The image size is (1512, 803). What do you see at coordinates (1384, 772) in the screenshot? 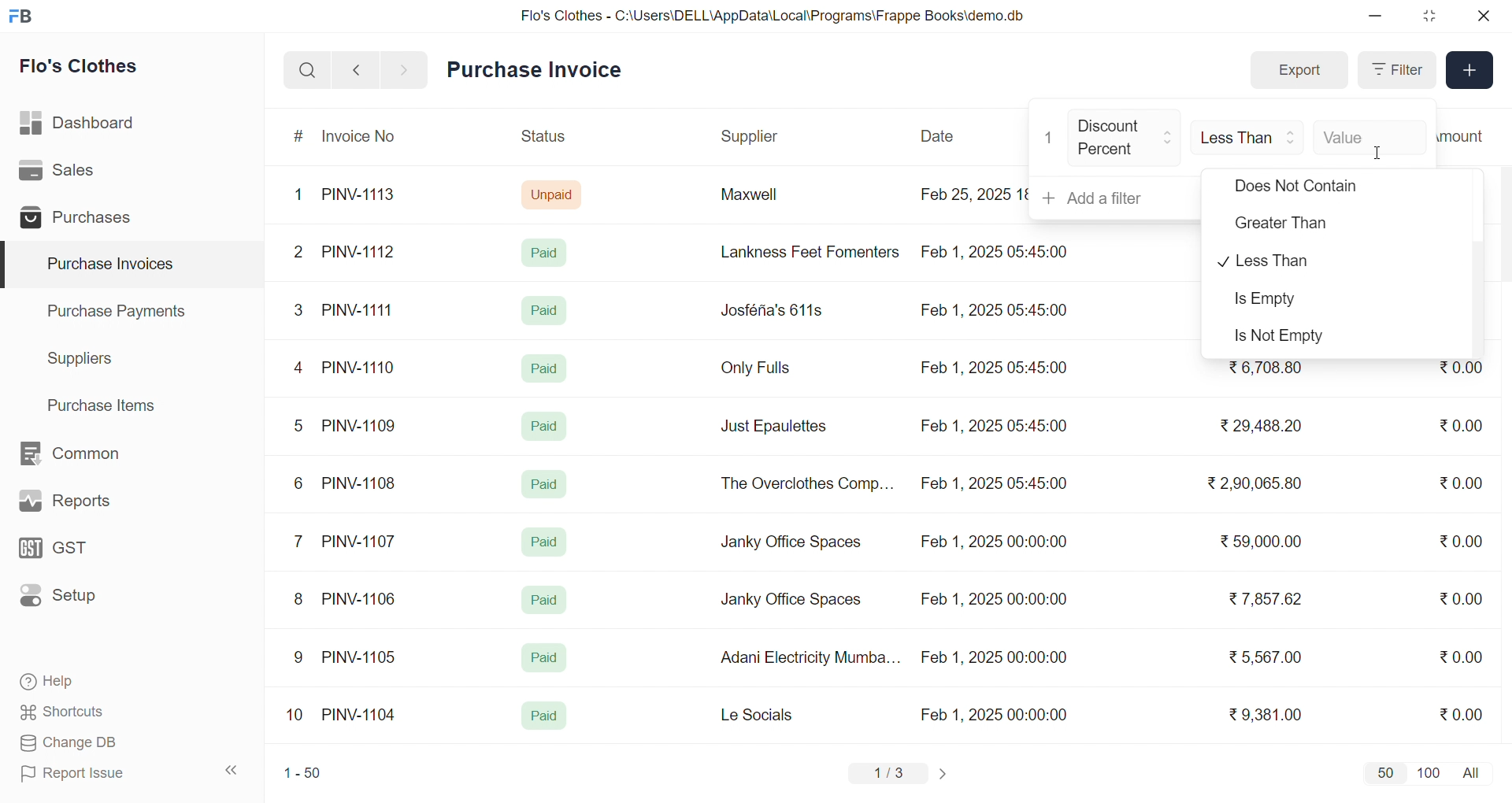
I see `50` at bounding box center [1384, 772].